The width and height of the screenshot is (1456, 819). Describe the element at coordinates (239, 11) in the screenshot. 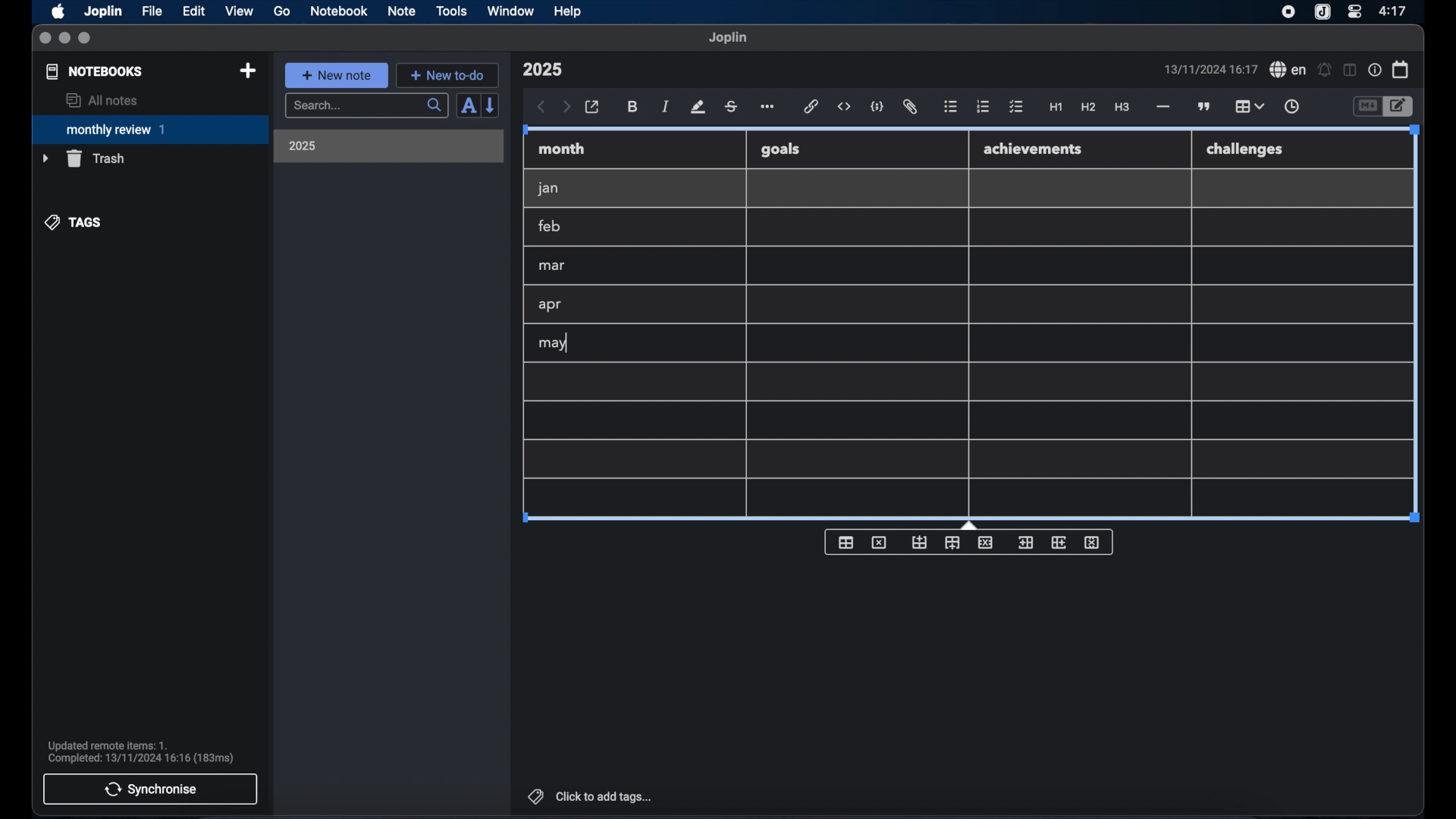

I see `view` at that location.